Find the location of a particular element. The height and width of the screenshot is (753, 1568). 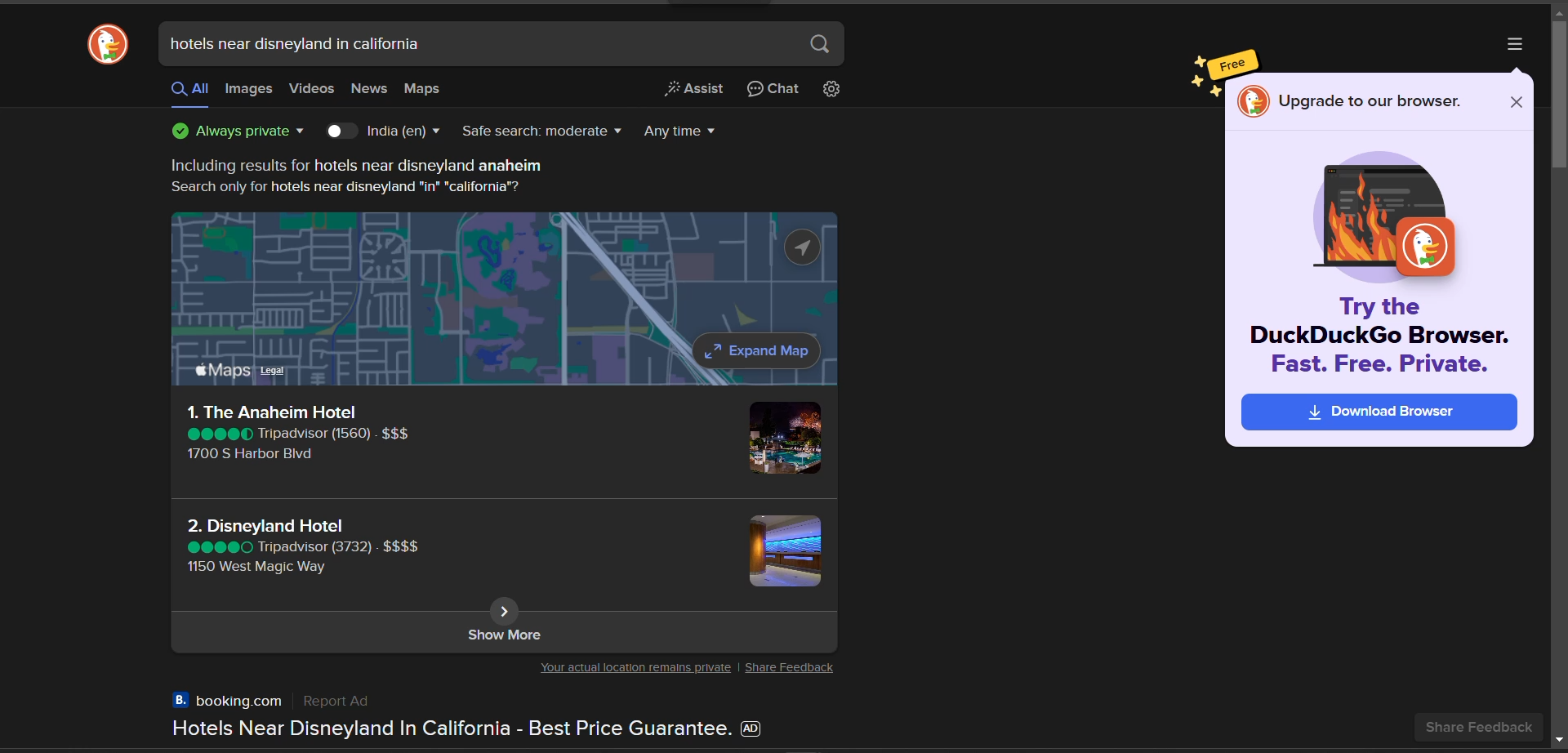

news is located at coordinates (368, 91).